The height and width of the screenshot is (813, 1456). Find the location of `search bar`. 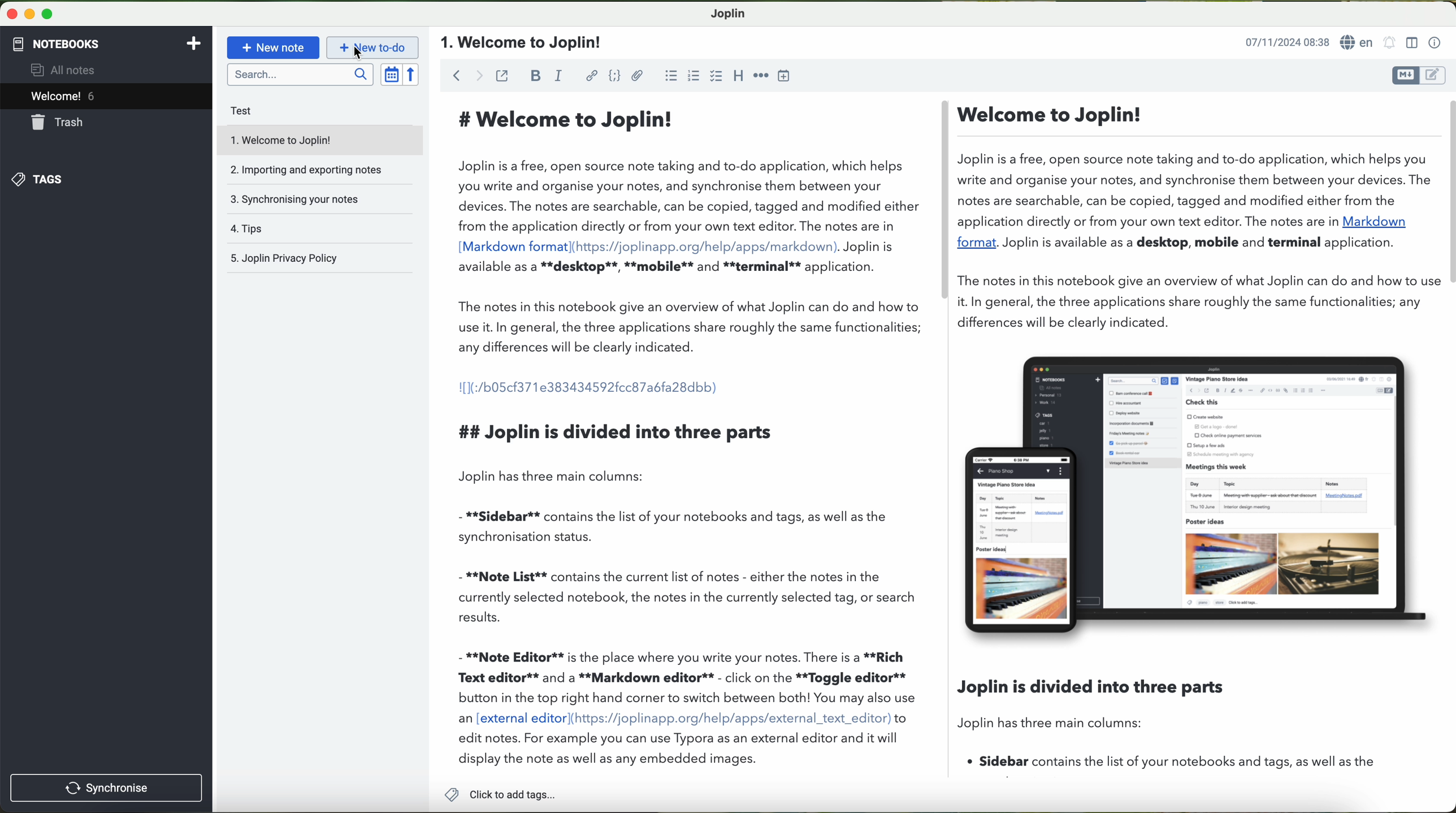

search bar is located at coordinates (300, 76).